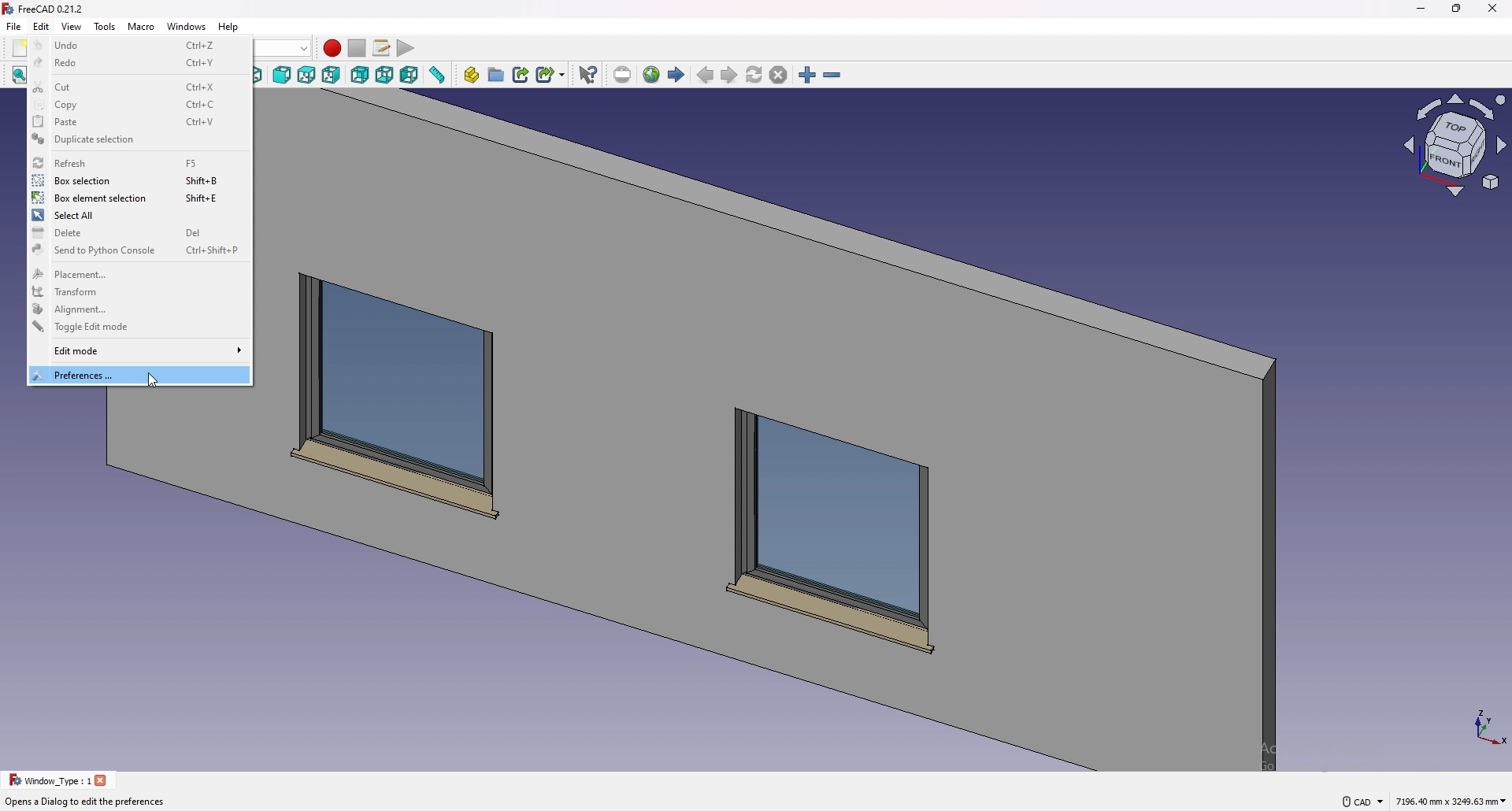  I want to click on top, so click(306, 76).